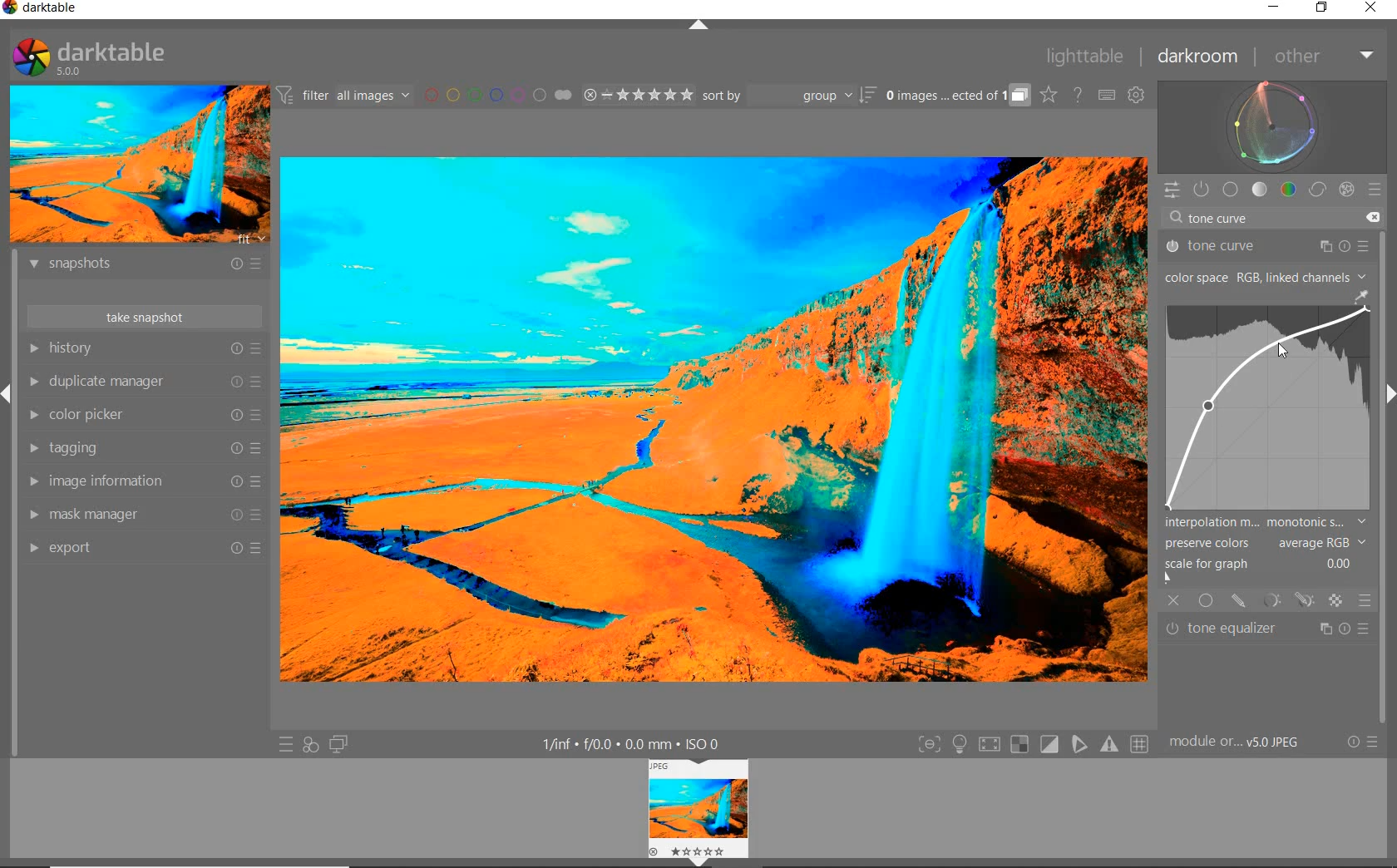  What do you see at coordinates (1049, 95) in the screenshot?
I see `CLICK TO CHANGE THE OVERLAYS SHOWN ON THUMBNAILS` at bounding box center [1049, 95].